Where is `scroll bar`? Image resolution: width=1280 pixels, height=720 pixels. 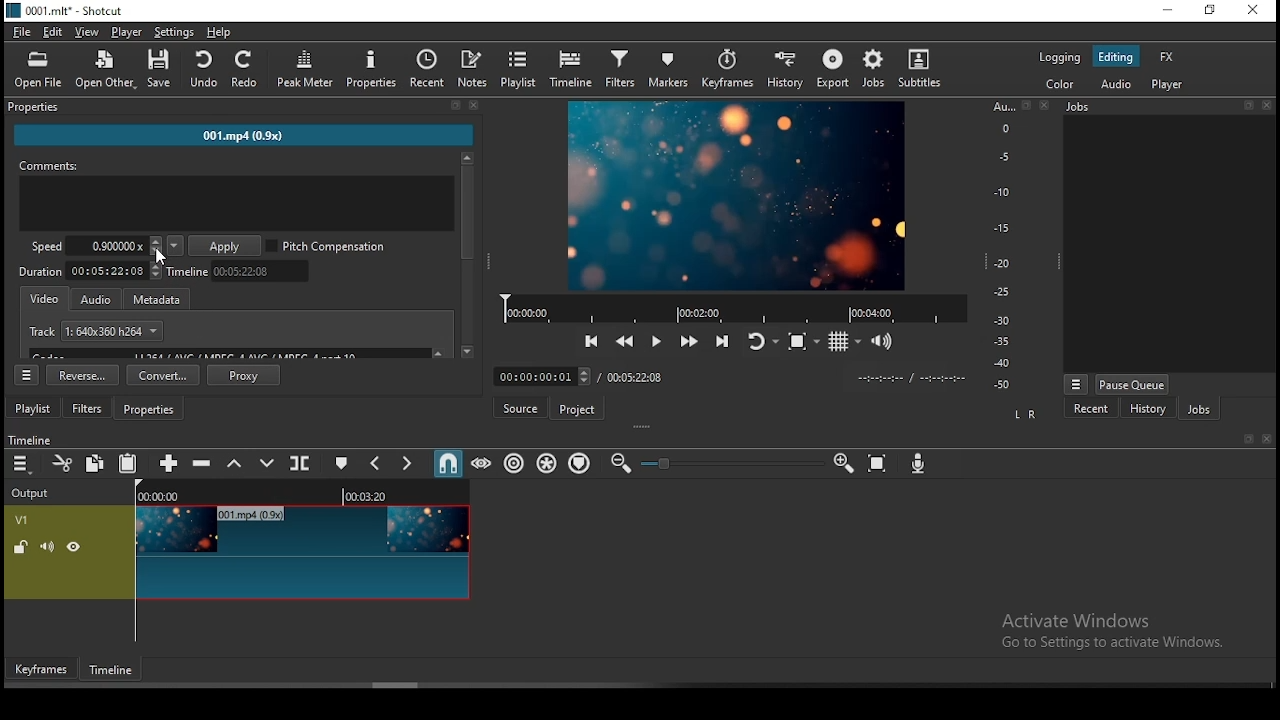
scroll bar is located at coordinates (469, 255).